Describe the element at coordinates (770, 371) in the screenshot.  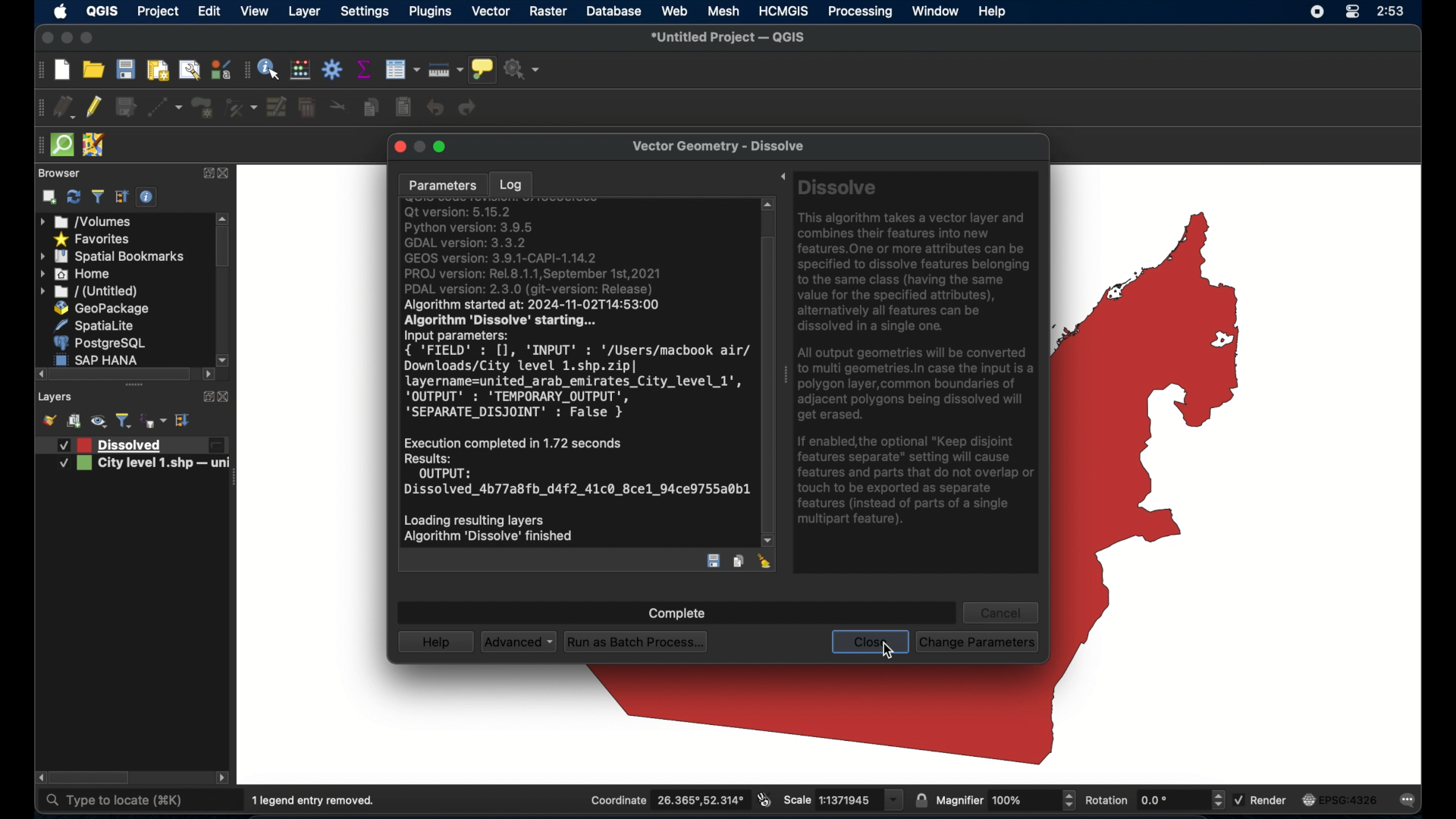
I see `scrollbar` at that location.